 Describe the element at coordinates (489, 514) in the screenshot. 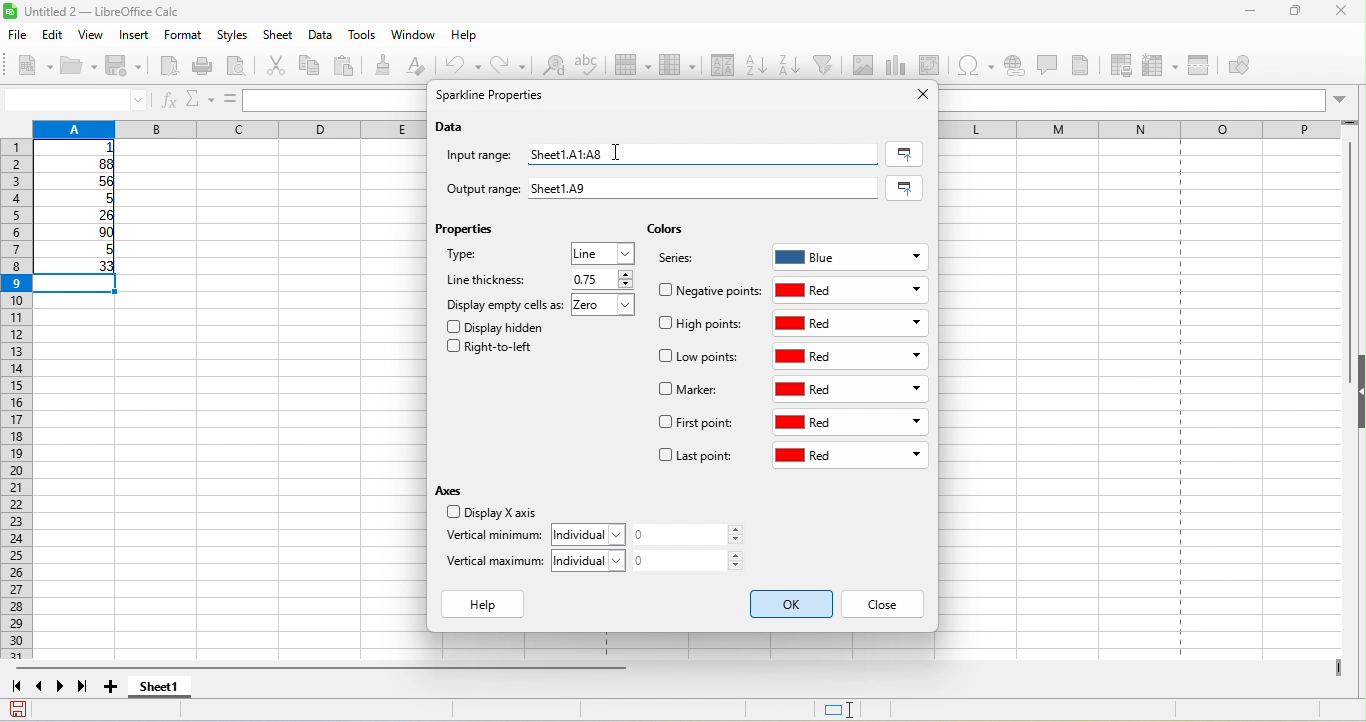

I see `display x axis` at that location.